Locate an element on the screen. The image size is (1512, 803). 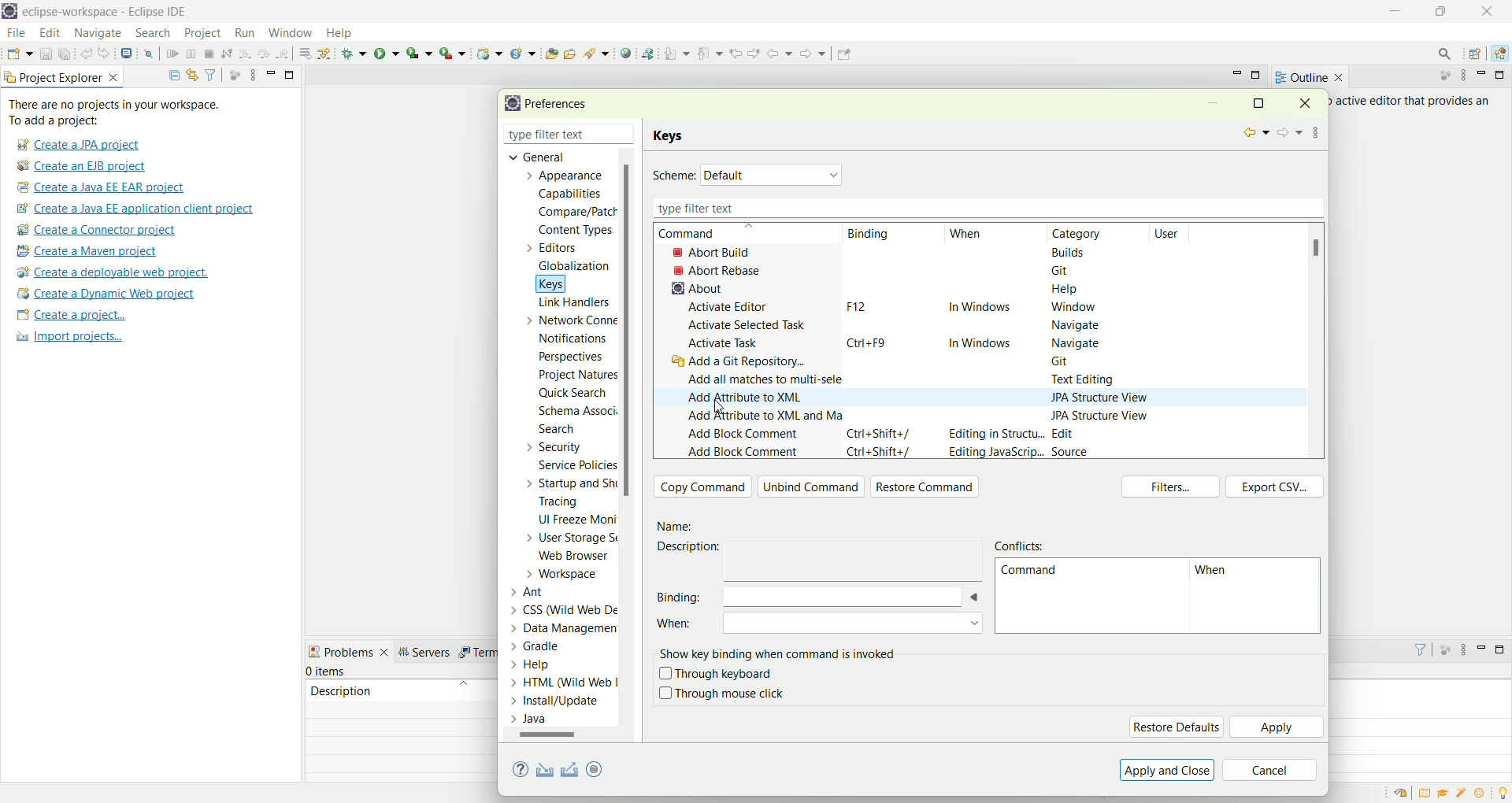
globalization is located at coordinates (573, 267).